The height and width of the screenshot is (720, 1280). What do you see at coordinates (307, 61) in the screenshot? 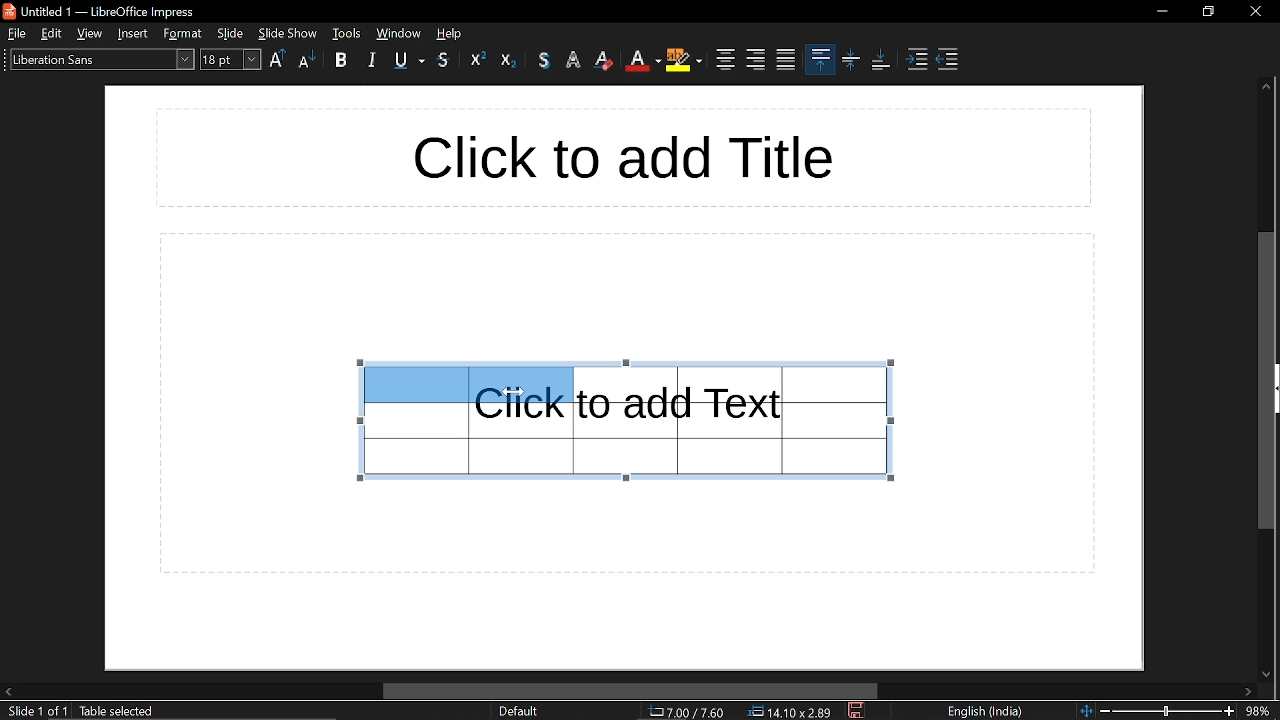
I see `lower case` at bounding box center [307, 61].